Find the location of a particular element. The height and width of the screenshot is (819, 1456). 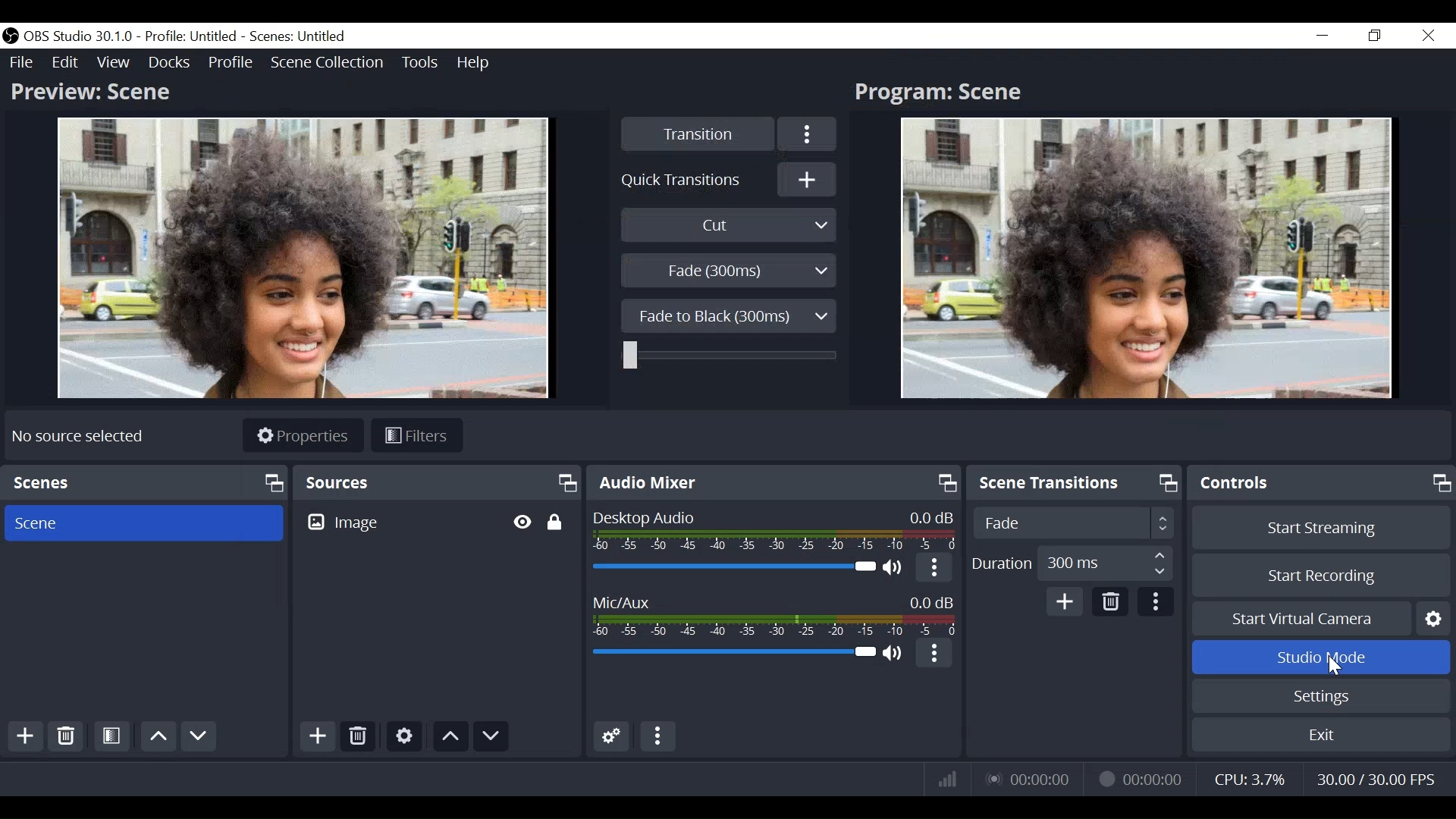

Fade to Black is located at coordinates (730, 315).